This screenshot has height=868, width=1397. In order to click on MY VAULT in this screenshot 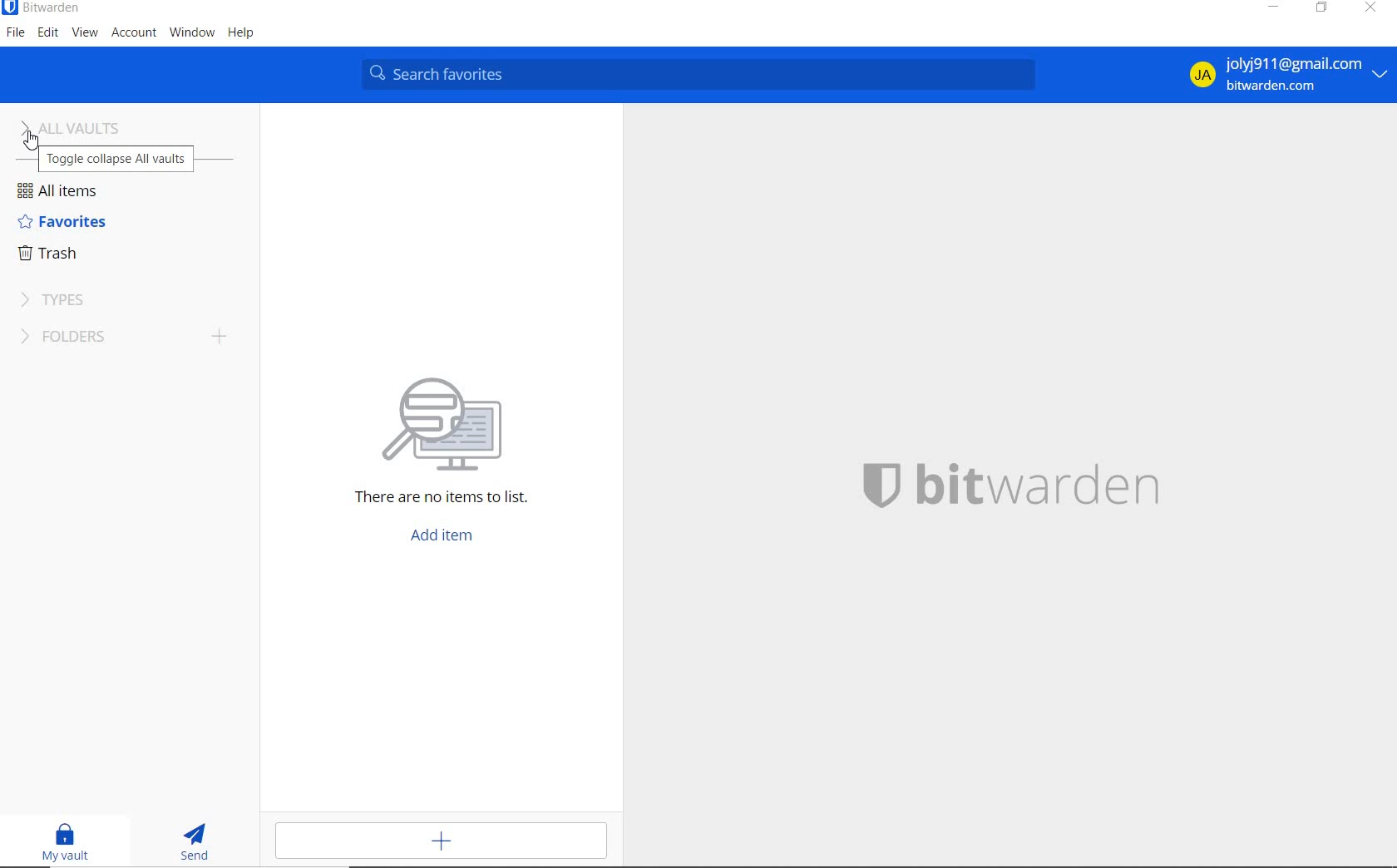, I will do `click(68, 842)`.